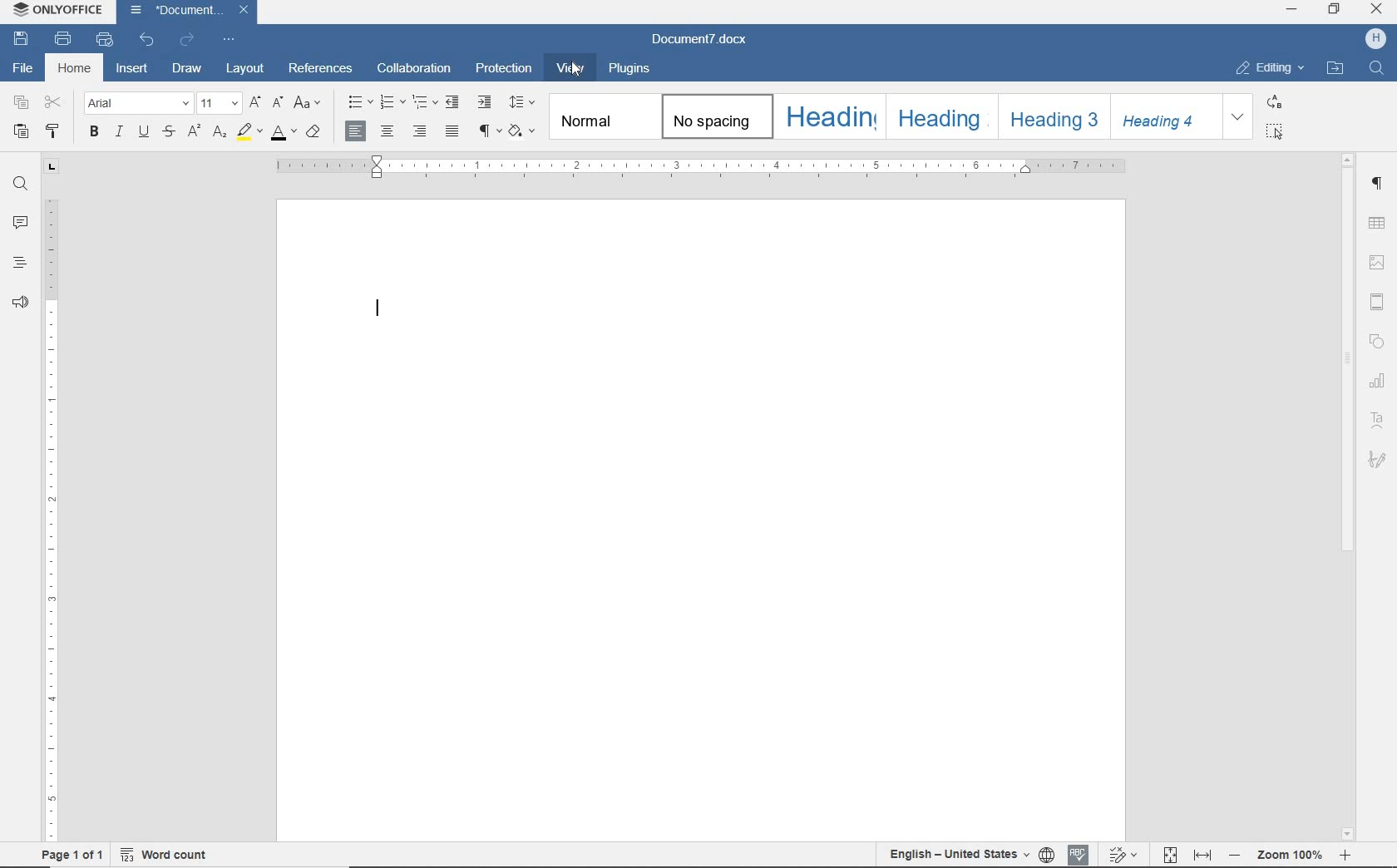 Image resolution: width=1397 pixels, height=868 pixels. What do you see at coordinates (1128, 854) in the screenshot?
I see `TRACK CHANGES` at bounding box center [1128, 854].